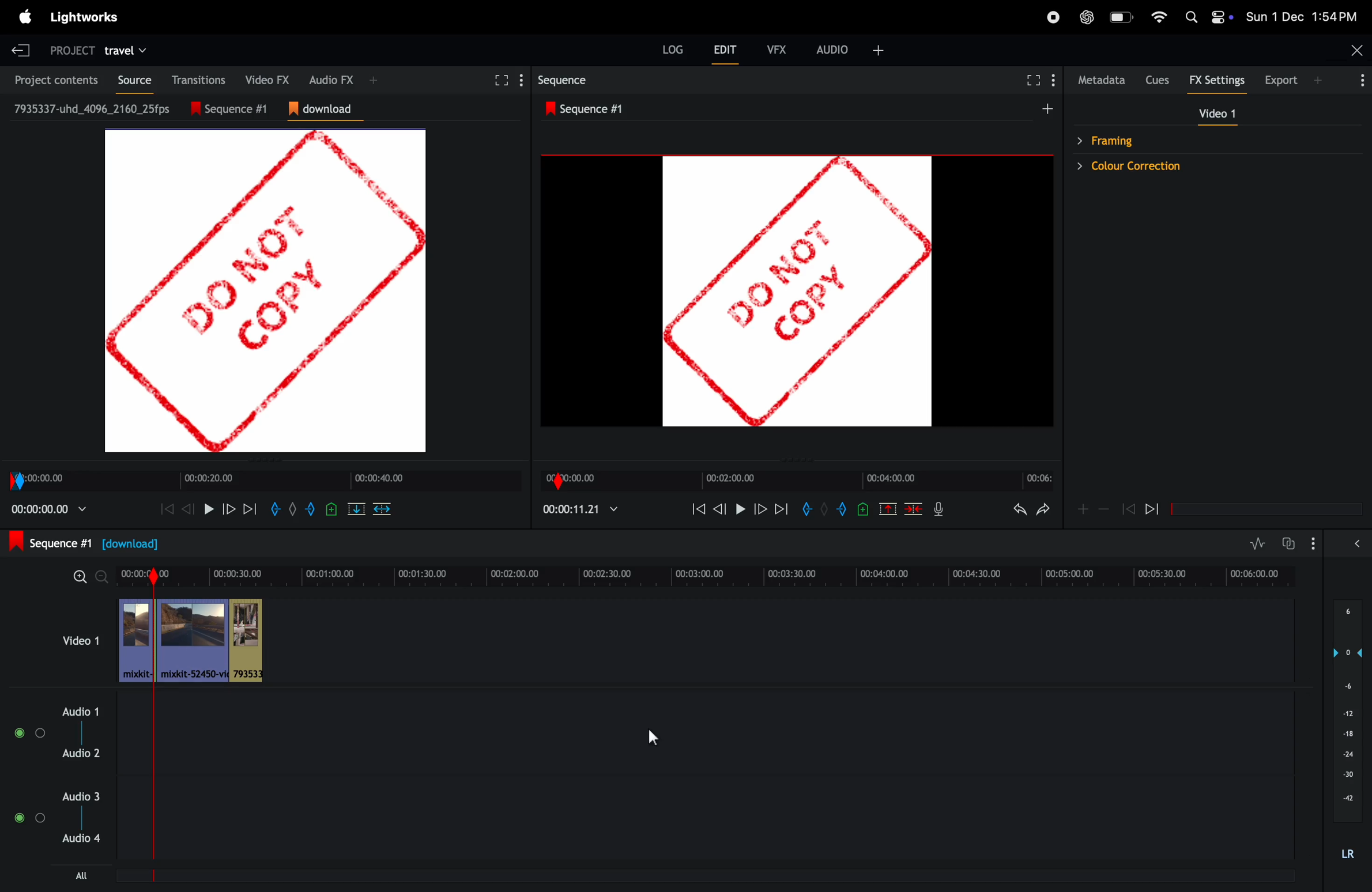  Describe the element at coordinates (209, 509) in the screenshot. I see `pause` at that location.